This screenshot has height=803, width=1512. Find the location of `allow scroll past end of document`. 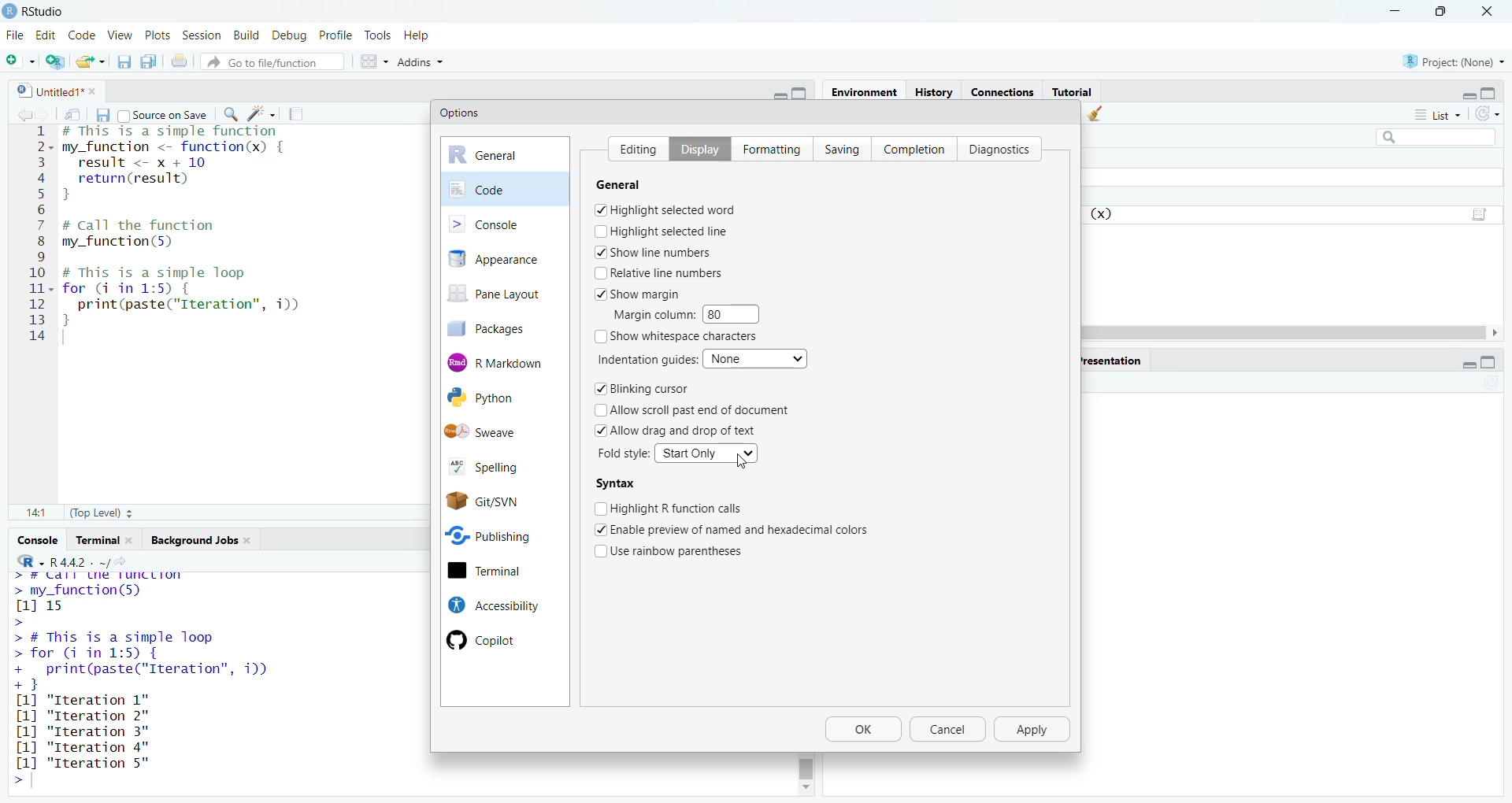

allow scroll past end of document is located at coordinates (701, 410).